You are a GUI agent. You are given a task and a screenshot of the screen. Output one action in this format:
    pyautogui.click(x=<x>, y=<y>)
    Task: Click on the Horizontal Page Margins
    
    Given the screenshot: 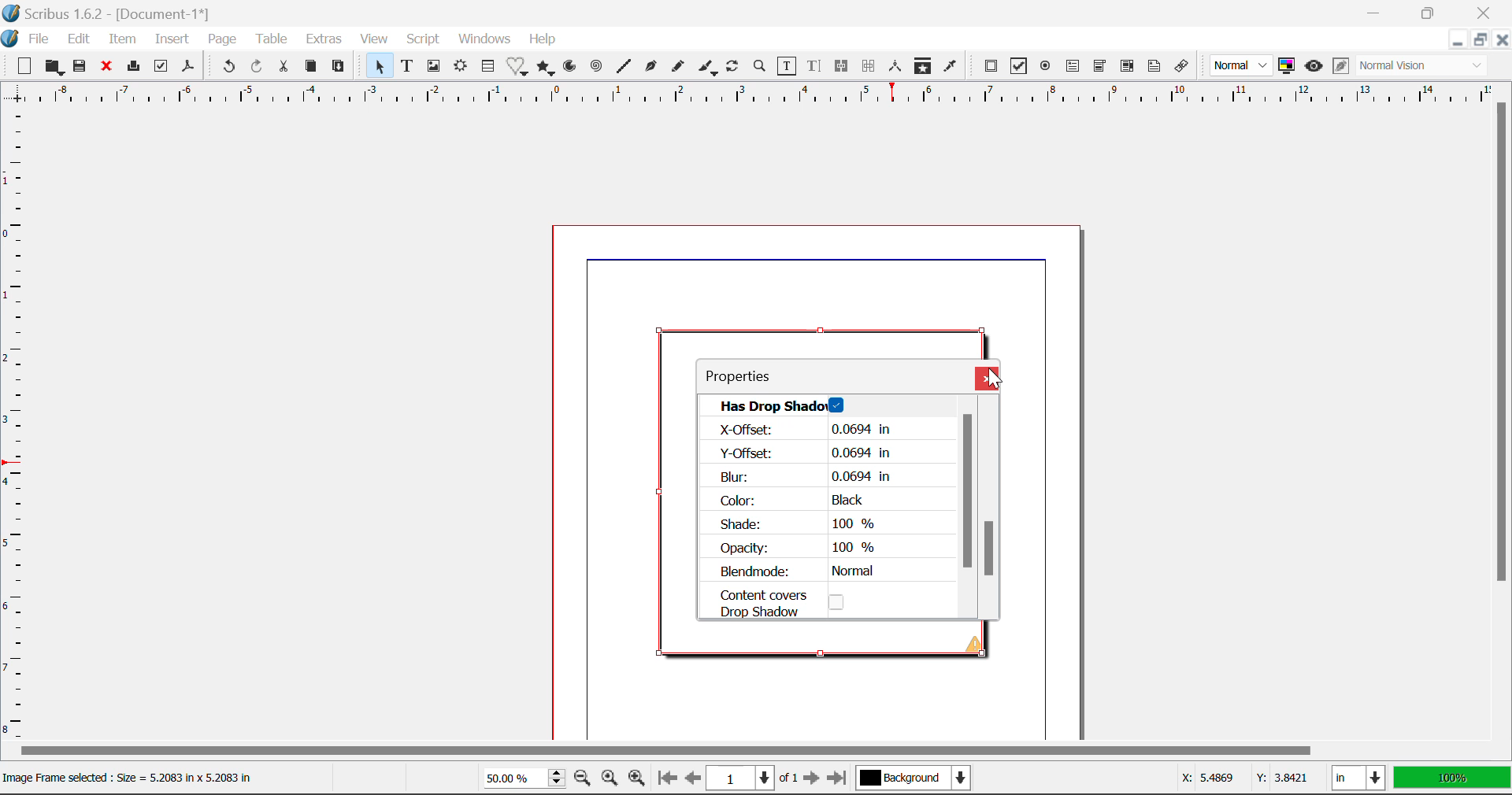 What is the action you would take?
    pyautogui.click(x=19, y=429)
    